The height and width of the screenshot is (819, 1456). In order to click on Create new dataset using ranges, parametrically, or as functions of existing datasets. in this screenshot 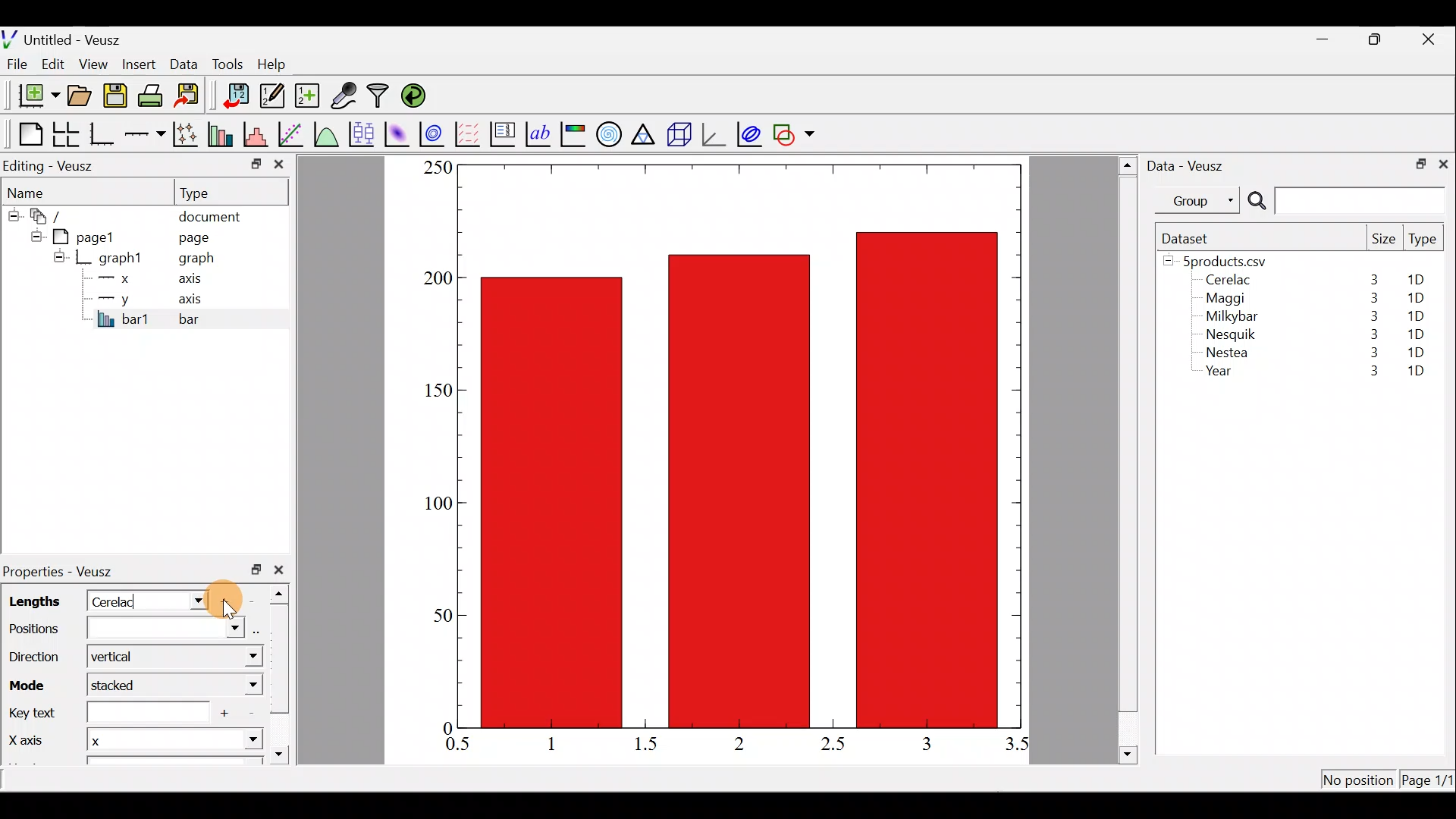, I will do `click(309, 96)`.